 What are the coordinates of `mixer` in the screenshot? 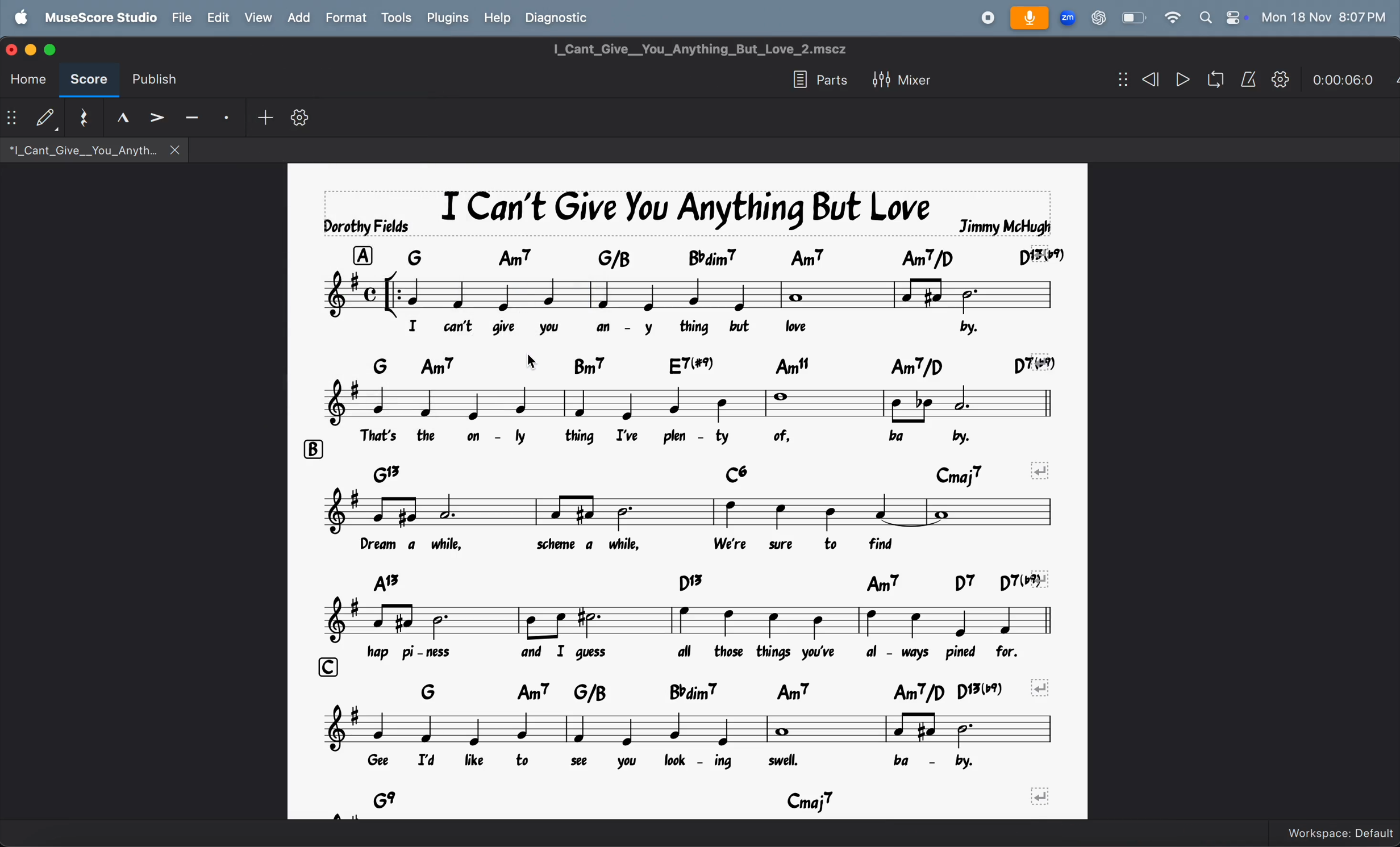 It's located at (901, 80).